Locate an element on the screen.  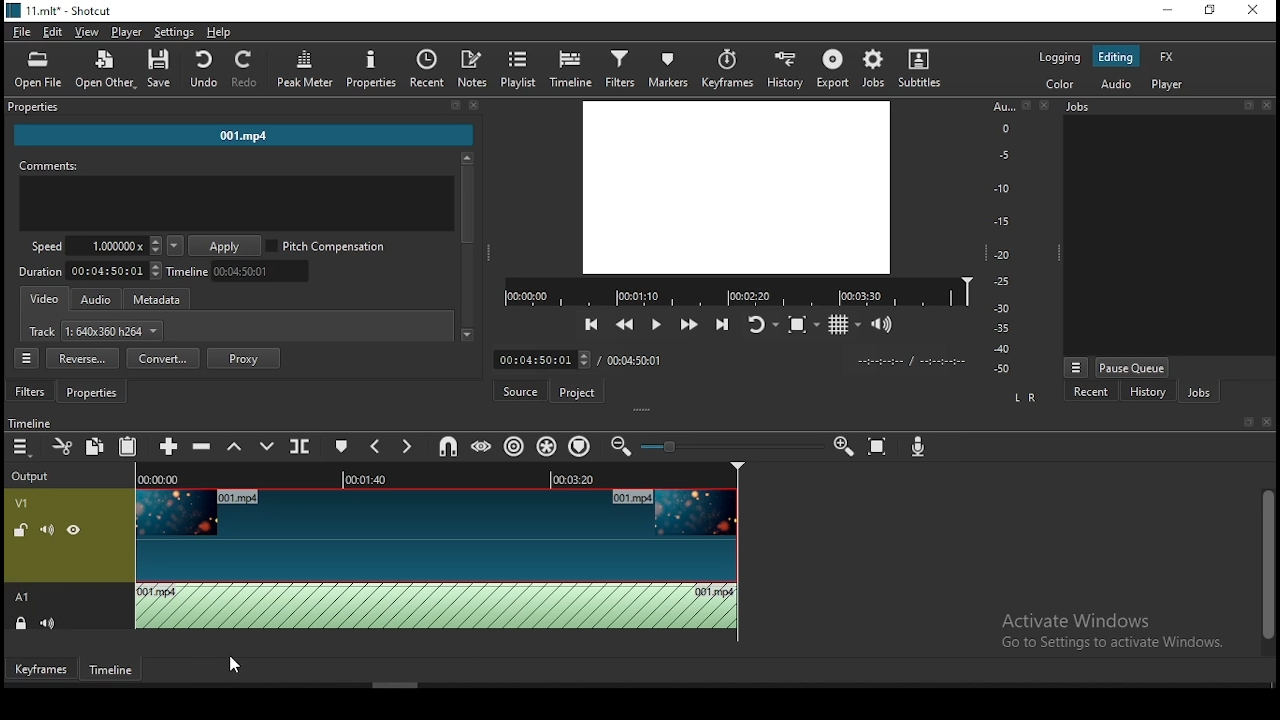
playlist is located at coordinates (519, 69).